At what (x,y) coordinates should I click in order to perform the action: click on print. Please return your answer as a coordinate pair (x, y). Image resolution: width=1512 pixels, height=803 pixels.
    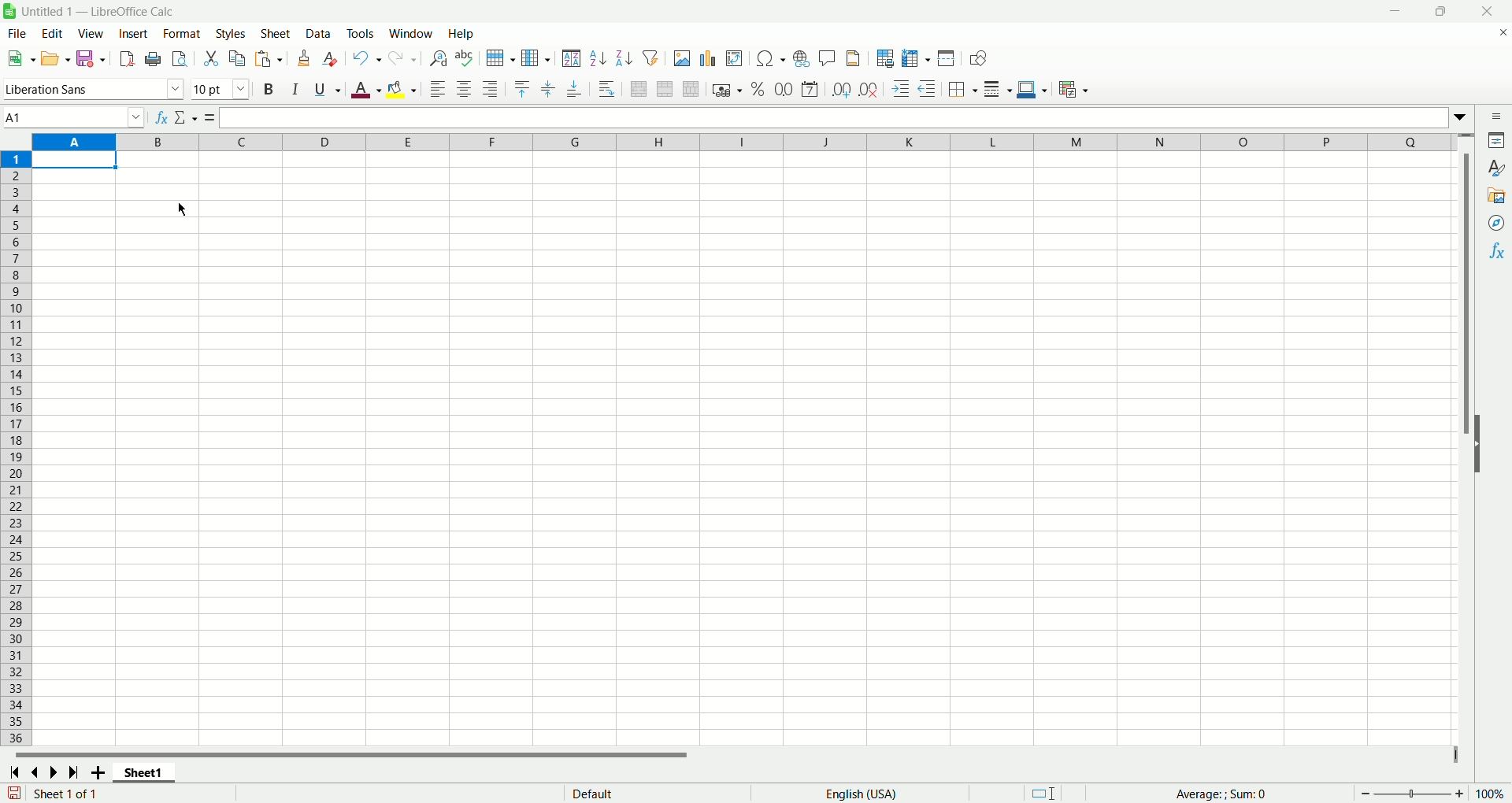
    Looking at the image, I should click on (154, 59).